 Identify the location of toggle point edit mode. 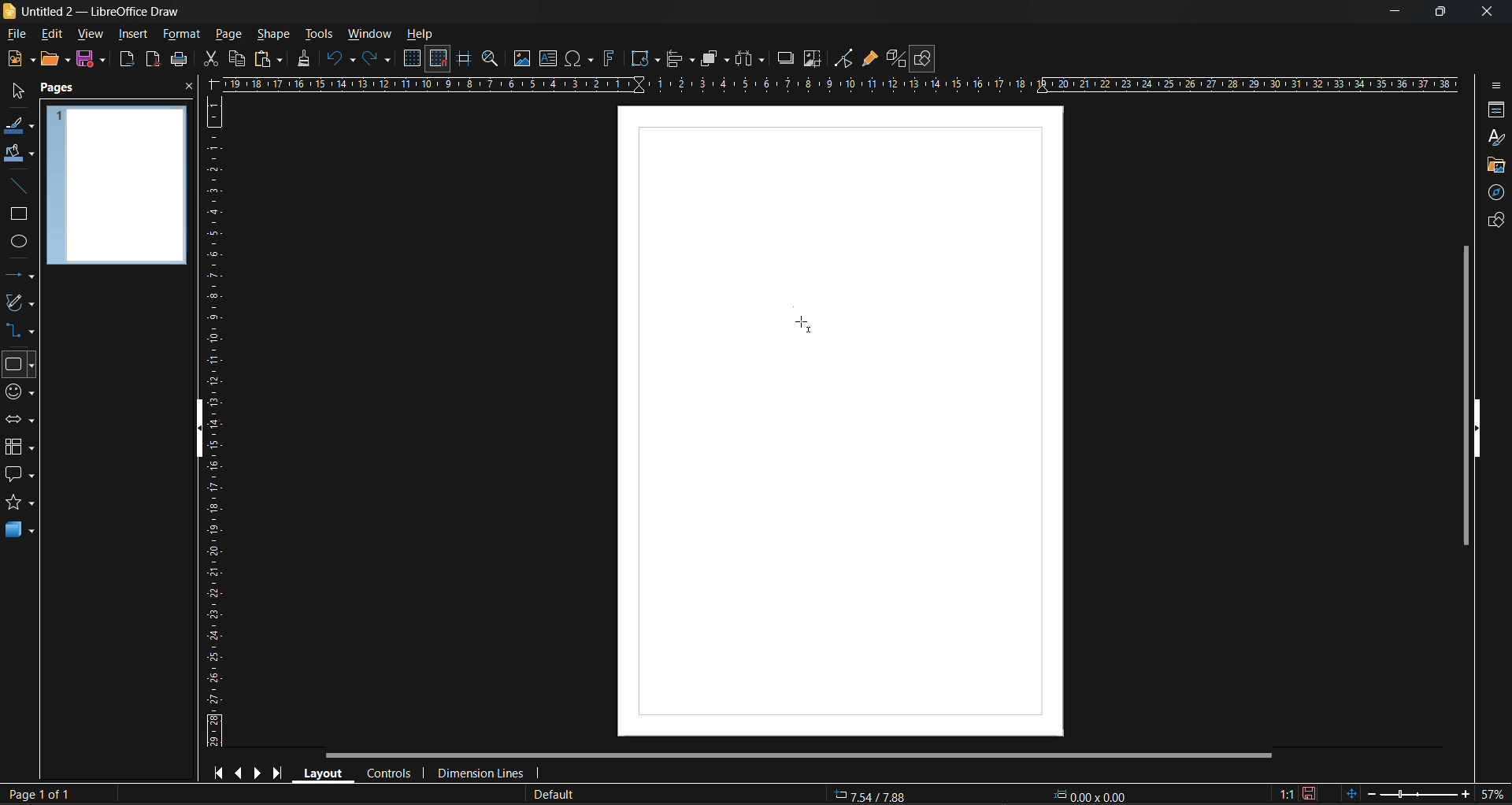
(846, 59).